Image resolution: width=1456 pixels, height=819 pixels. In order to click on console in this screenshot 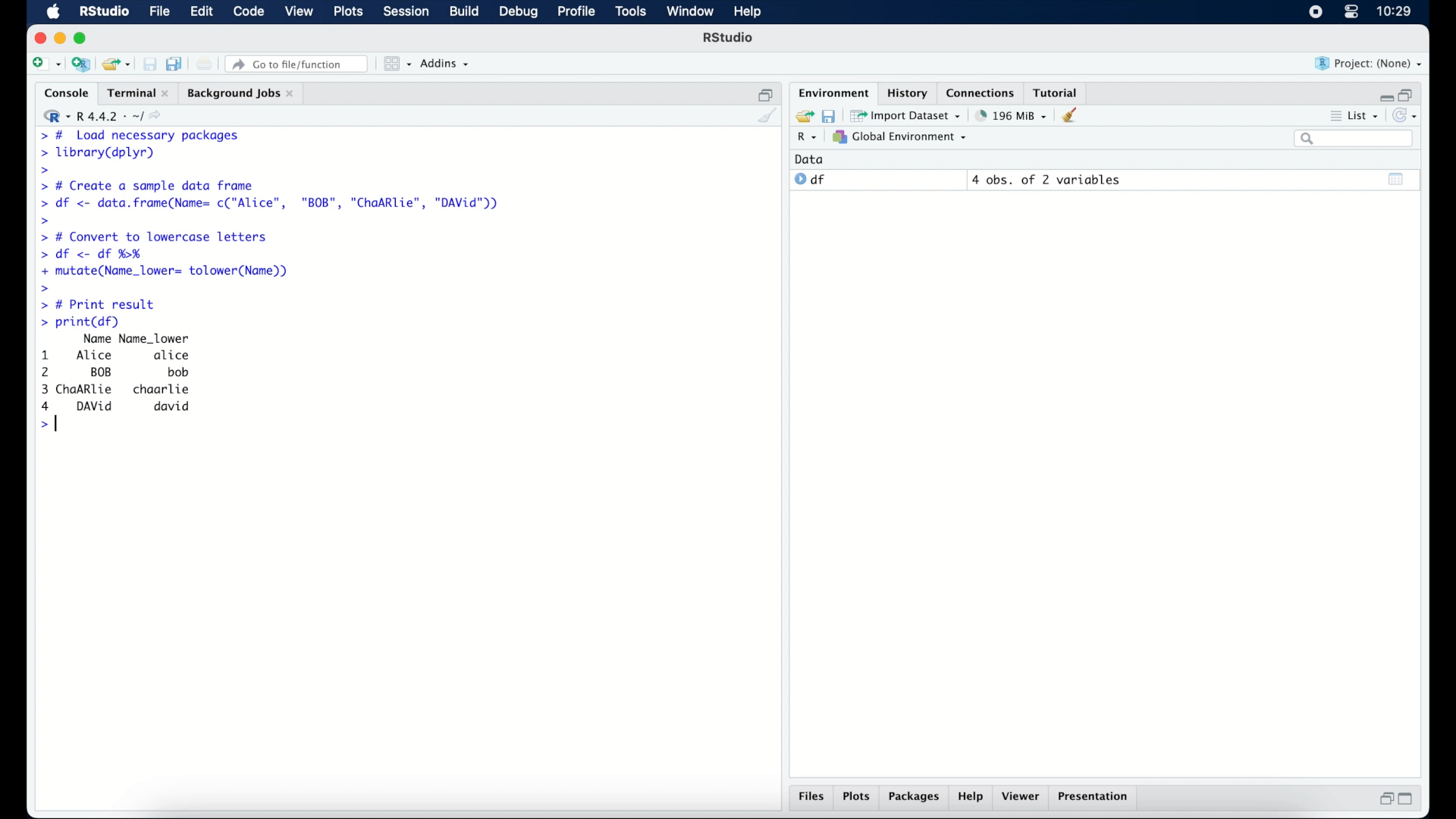, I will do `click(63, 93)`.